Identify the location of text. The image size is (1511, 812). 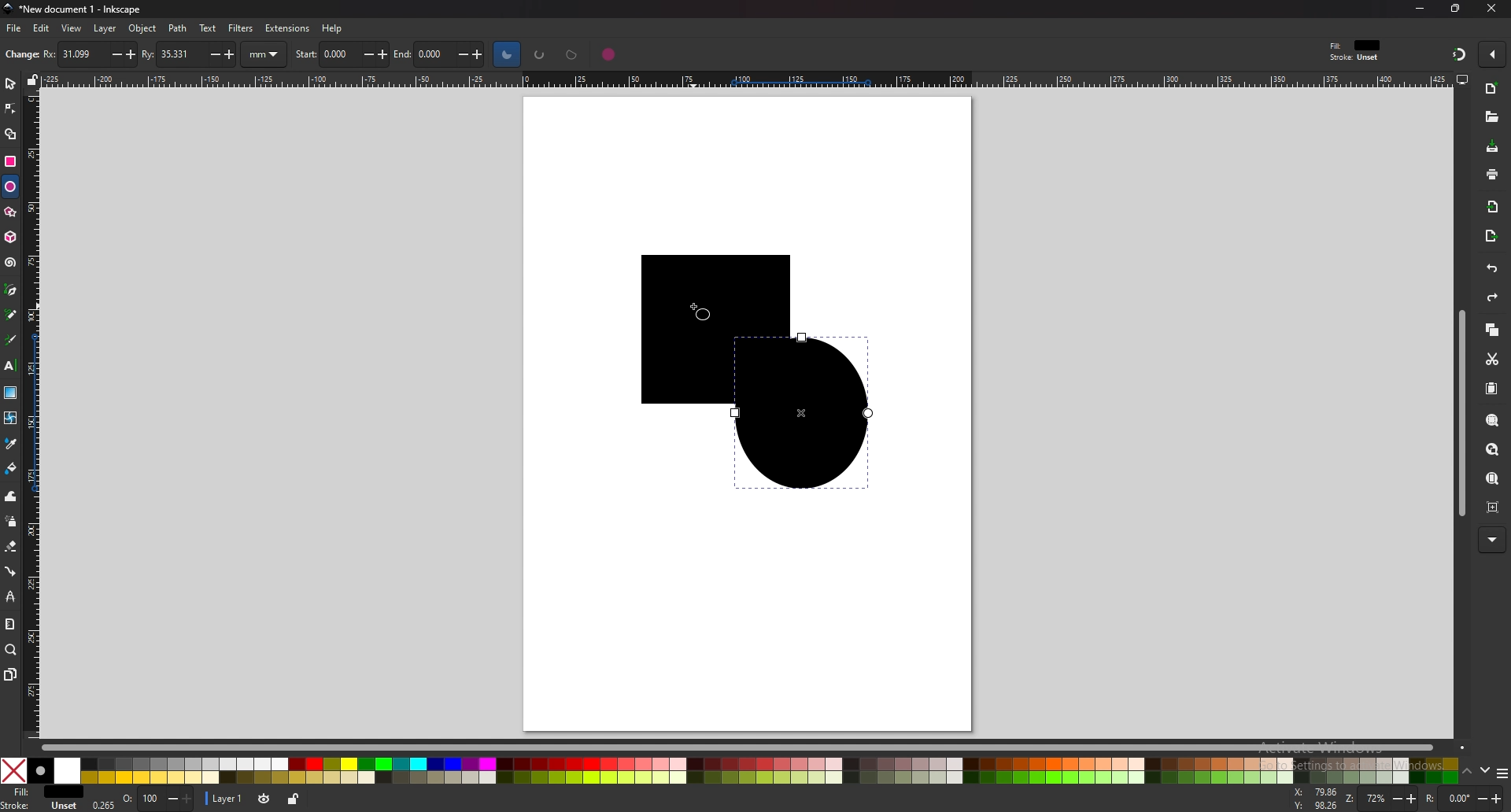
(10, 366).